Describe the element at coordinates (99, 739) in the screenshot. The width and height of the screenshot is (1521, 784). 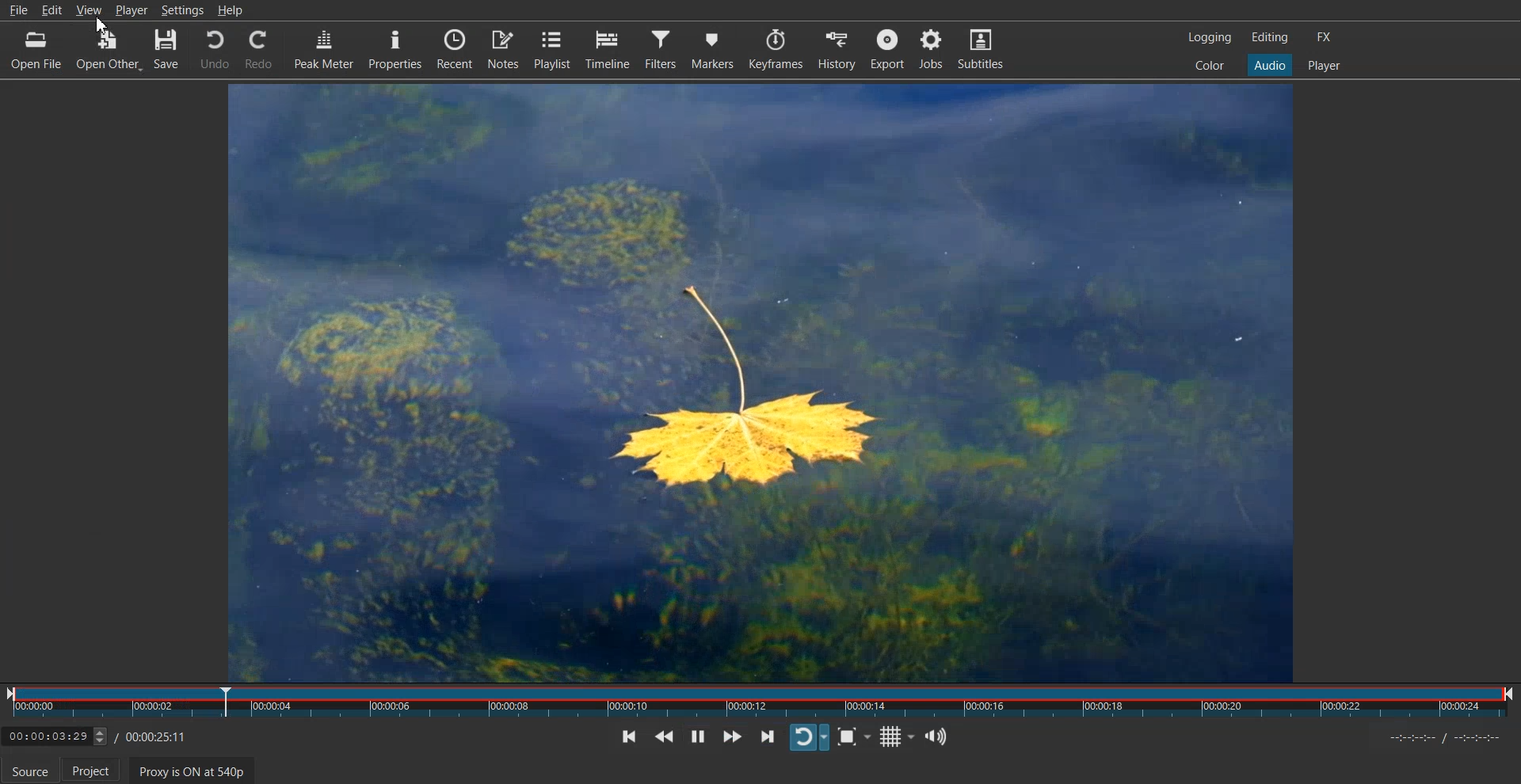
I see `Timeline adjuster` at that location.